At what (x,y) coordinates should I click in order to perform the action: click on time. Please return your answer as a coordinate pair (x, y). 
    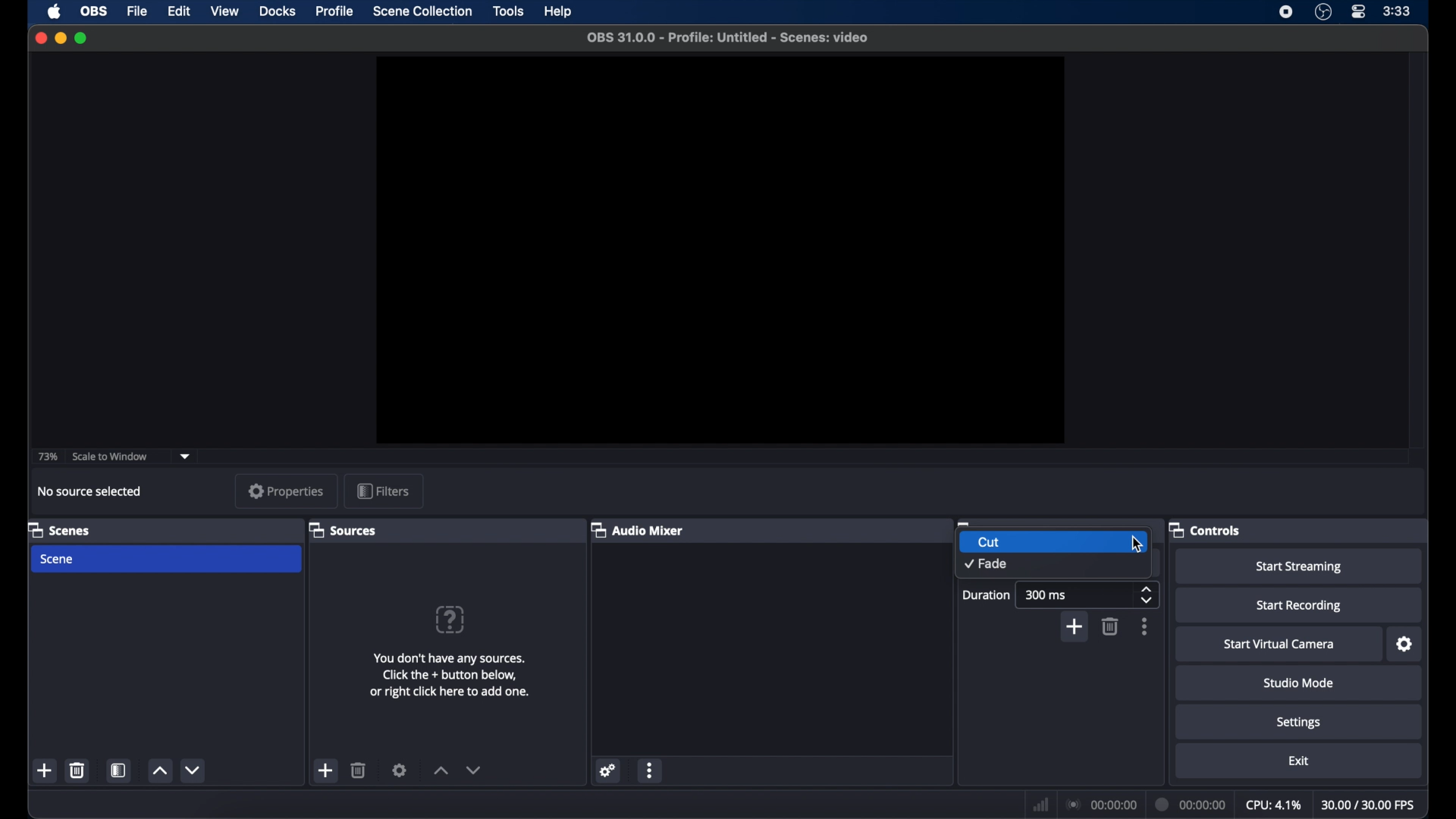
    Looking at the image, I should click on (1398, 11).